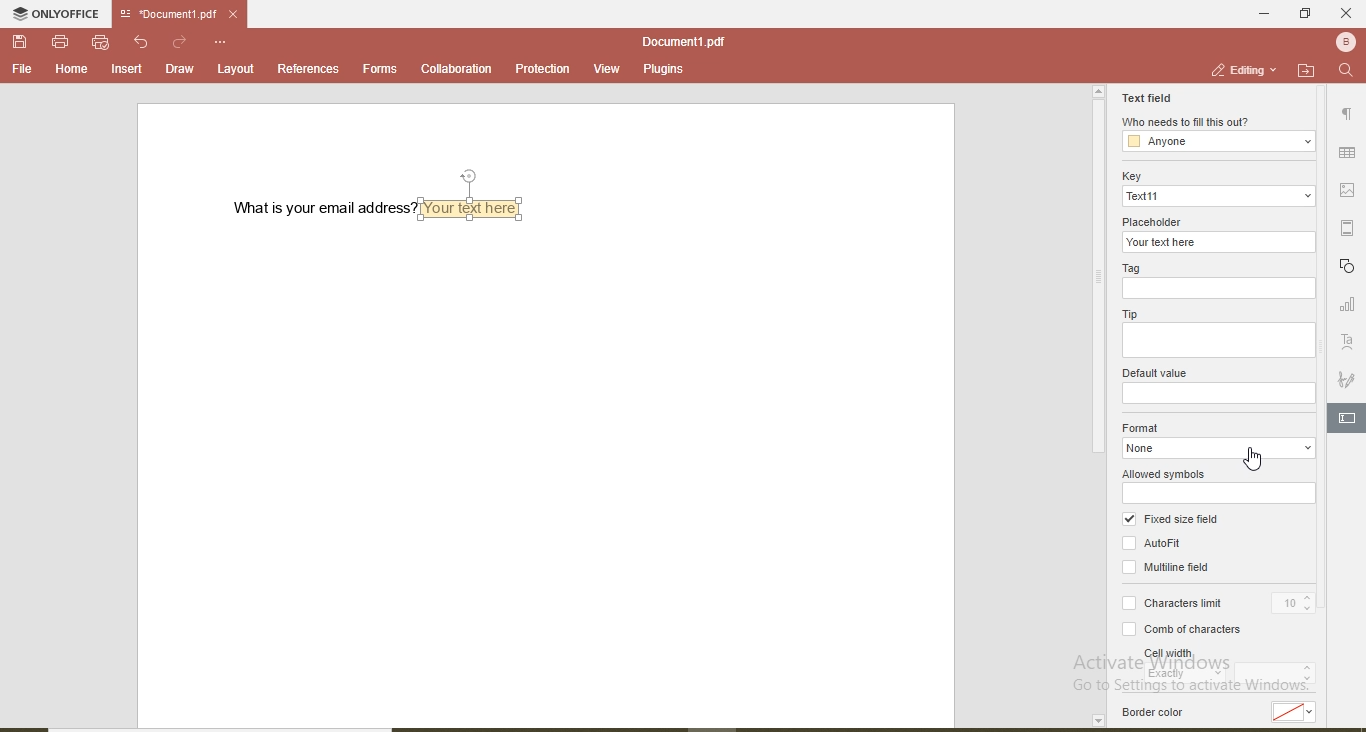 The image size is (1366, 732). Describe the element at coordinates (662, 71) in the screenshot. I see `plugins` at that location.